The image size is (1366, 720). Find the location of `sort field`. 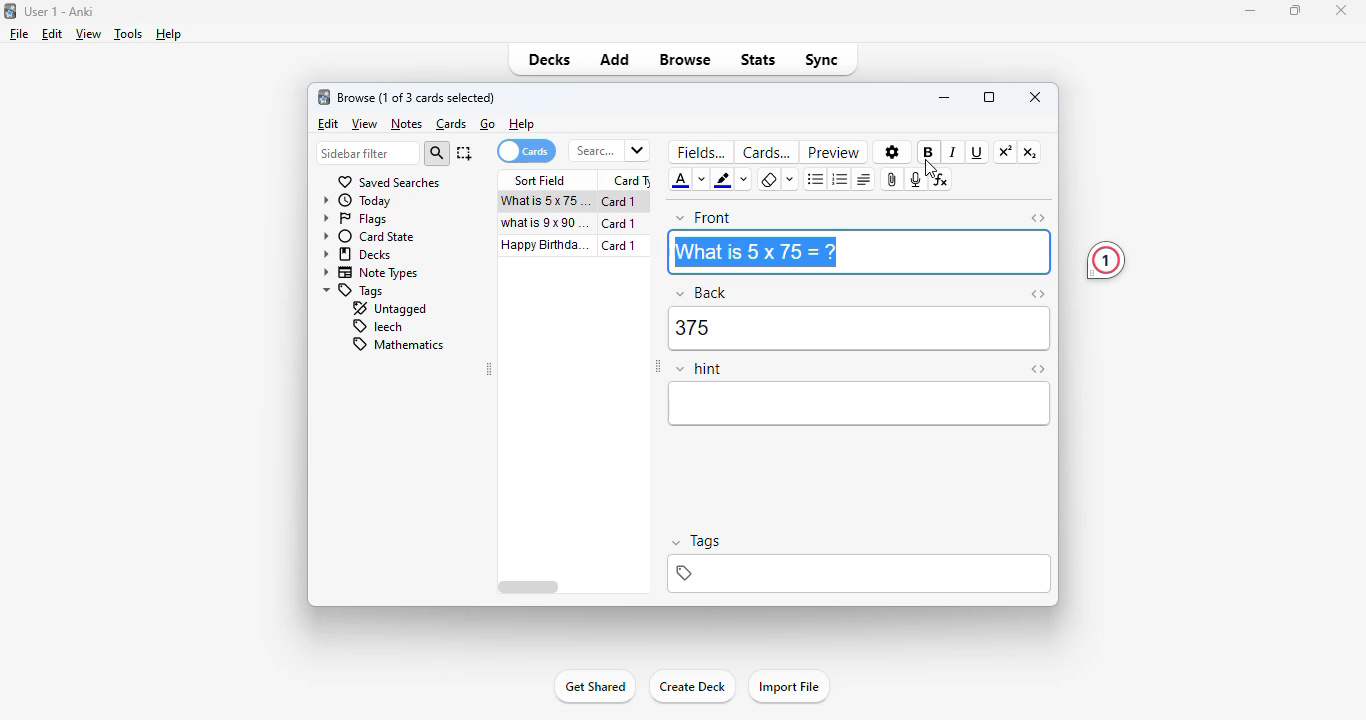

sort field is located at coordinates (541, 181).